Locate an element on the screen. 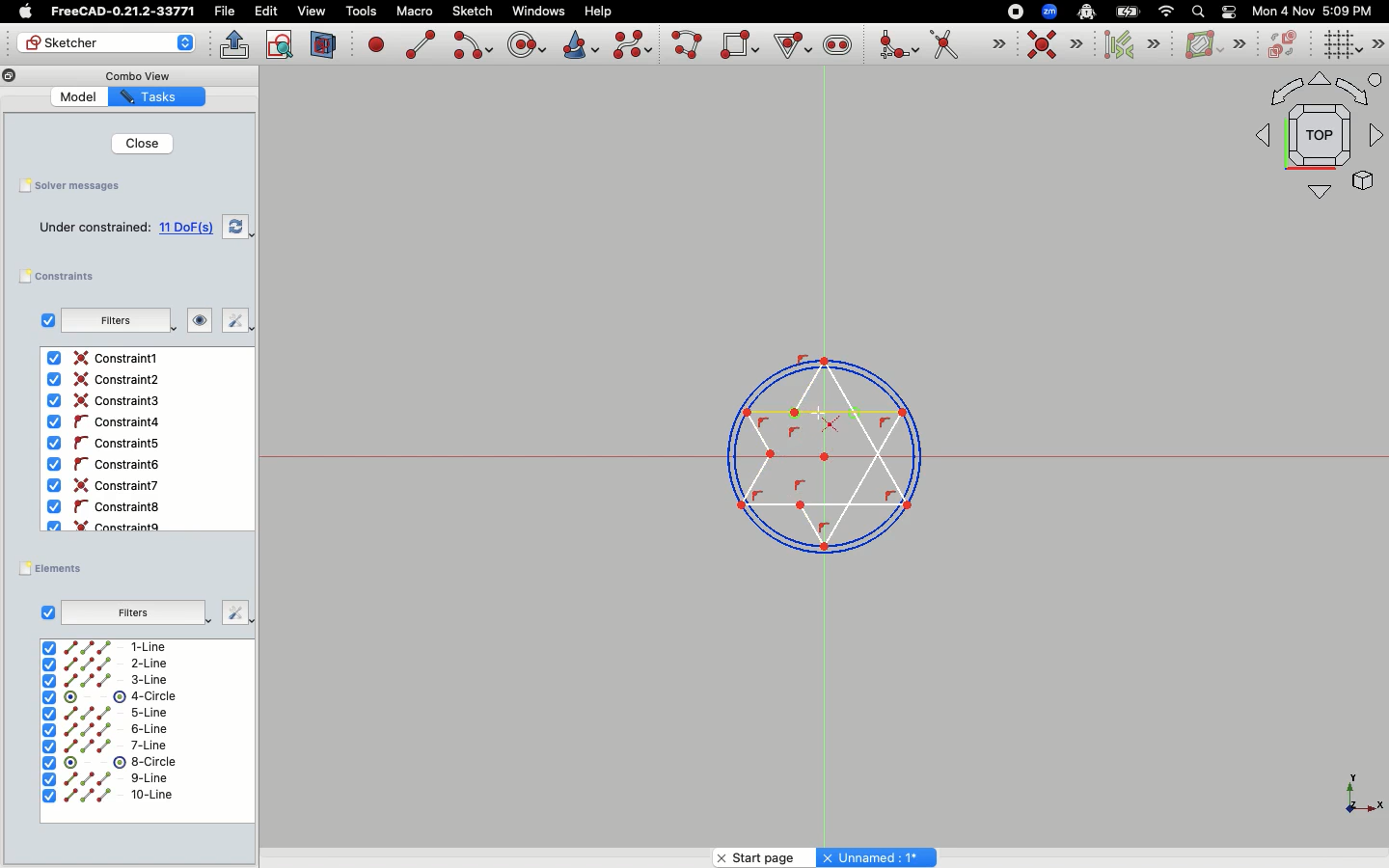  Checkbox is located at coordinates (48, 611).